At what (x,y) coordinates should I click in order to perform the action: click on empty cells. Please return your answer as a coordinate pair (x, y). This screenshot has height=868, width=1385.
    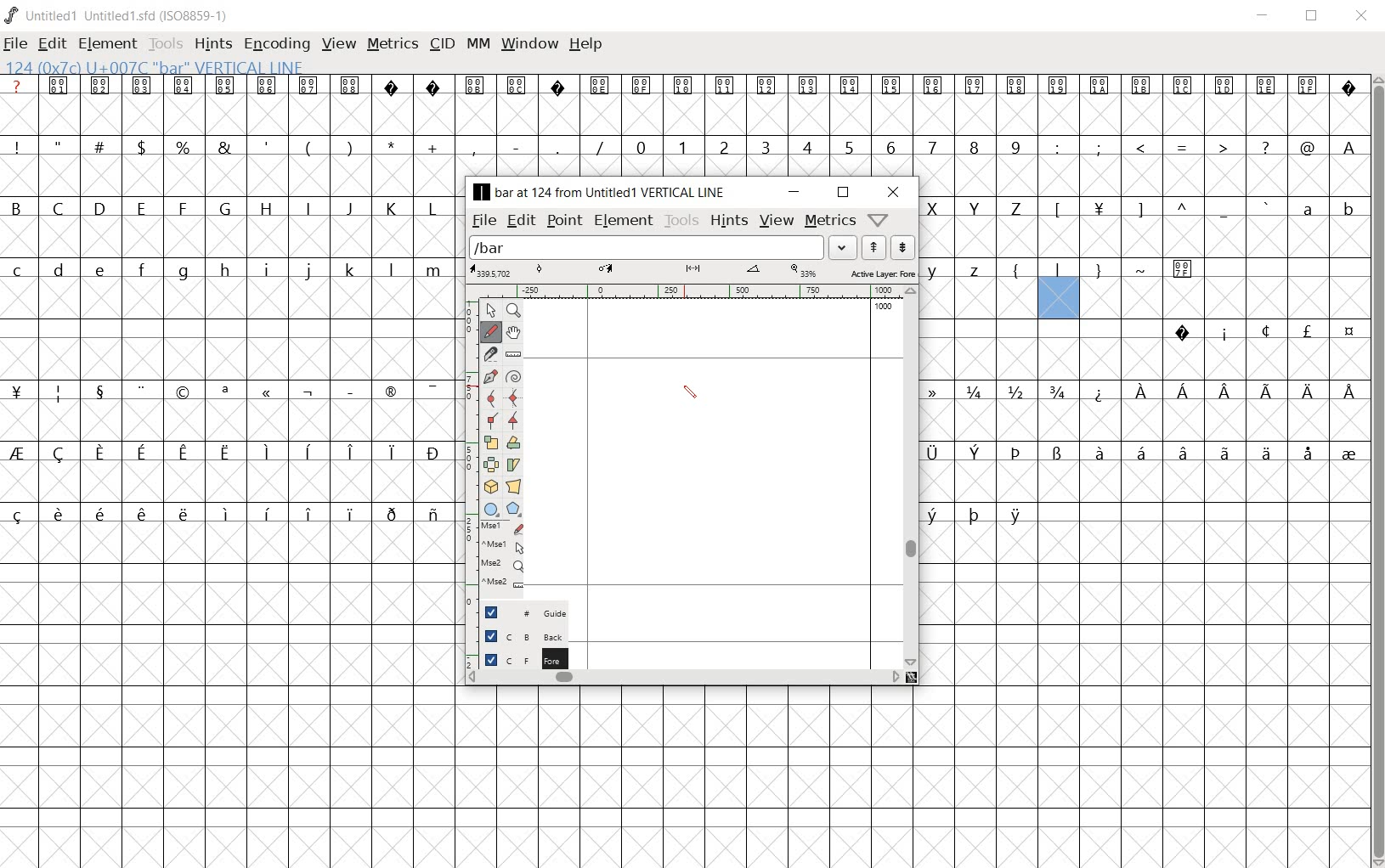
    Looking at the image, I should click on (1145, 360).